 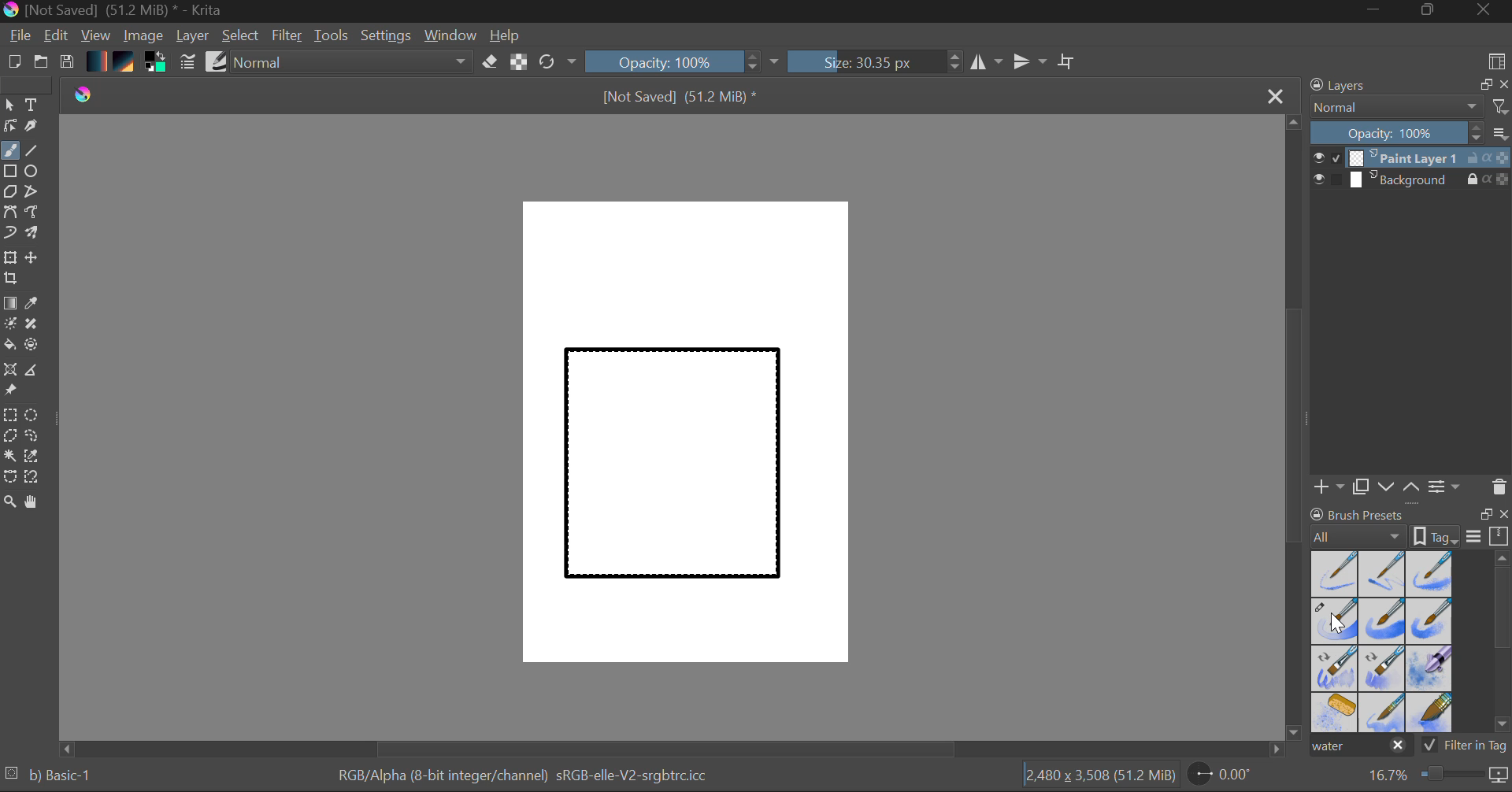 What do you see at coordinates (20, 38) in the screenshot?
I see `File` at bounding box center [20, 38].